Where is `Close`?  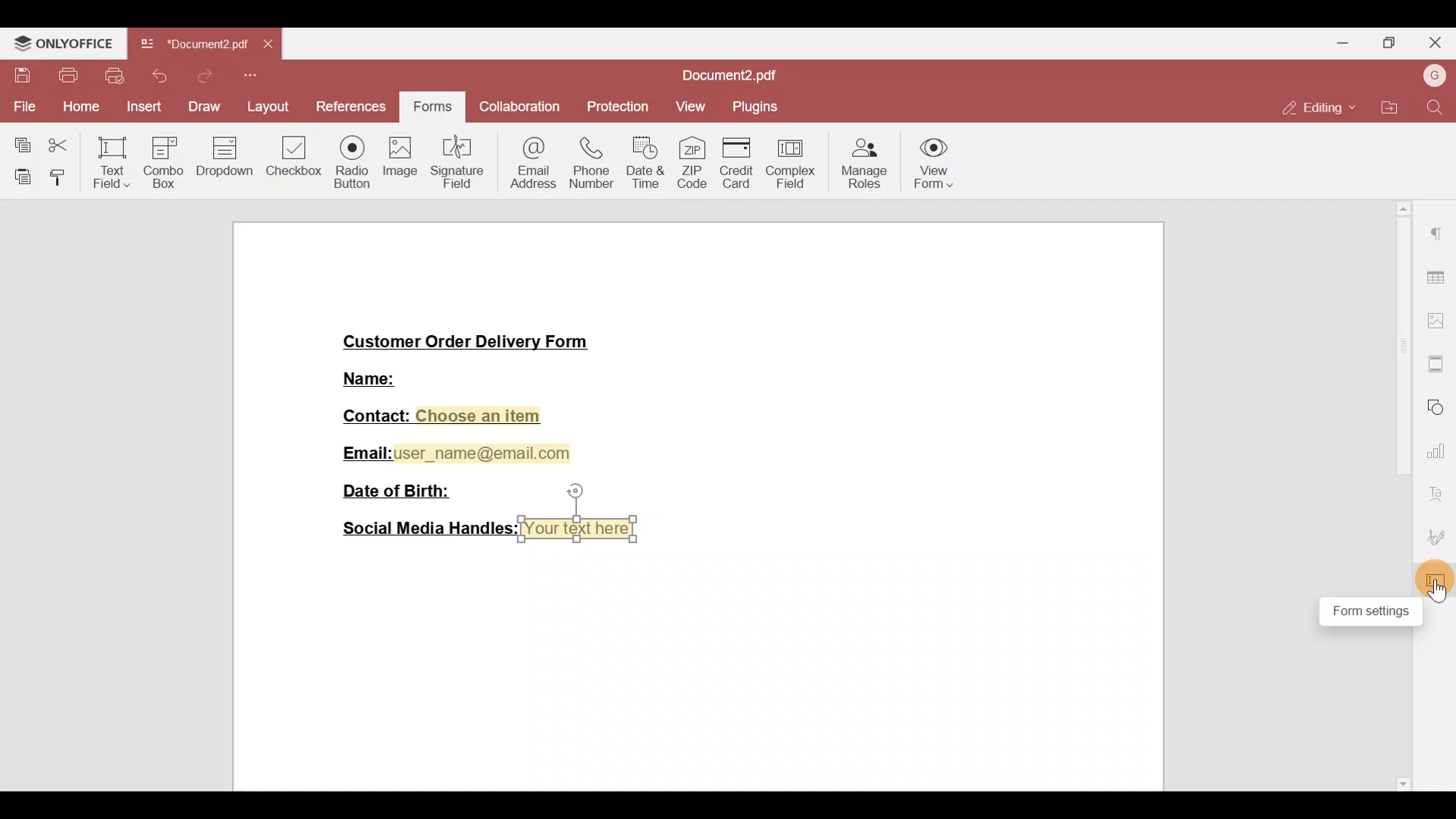 Close is located at coordinates (1438, 43).